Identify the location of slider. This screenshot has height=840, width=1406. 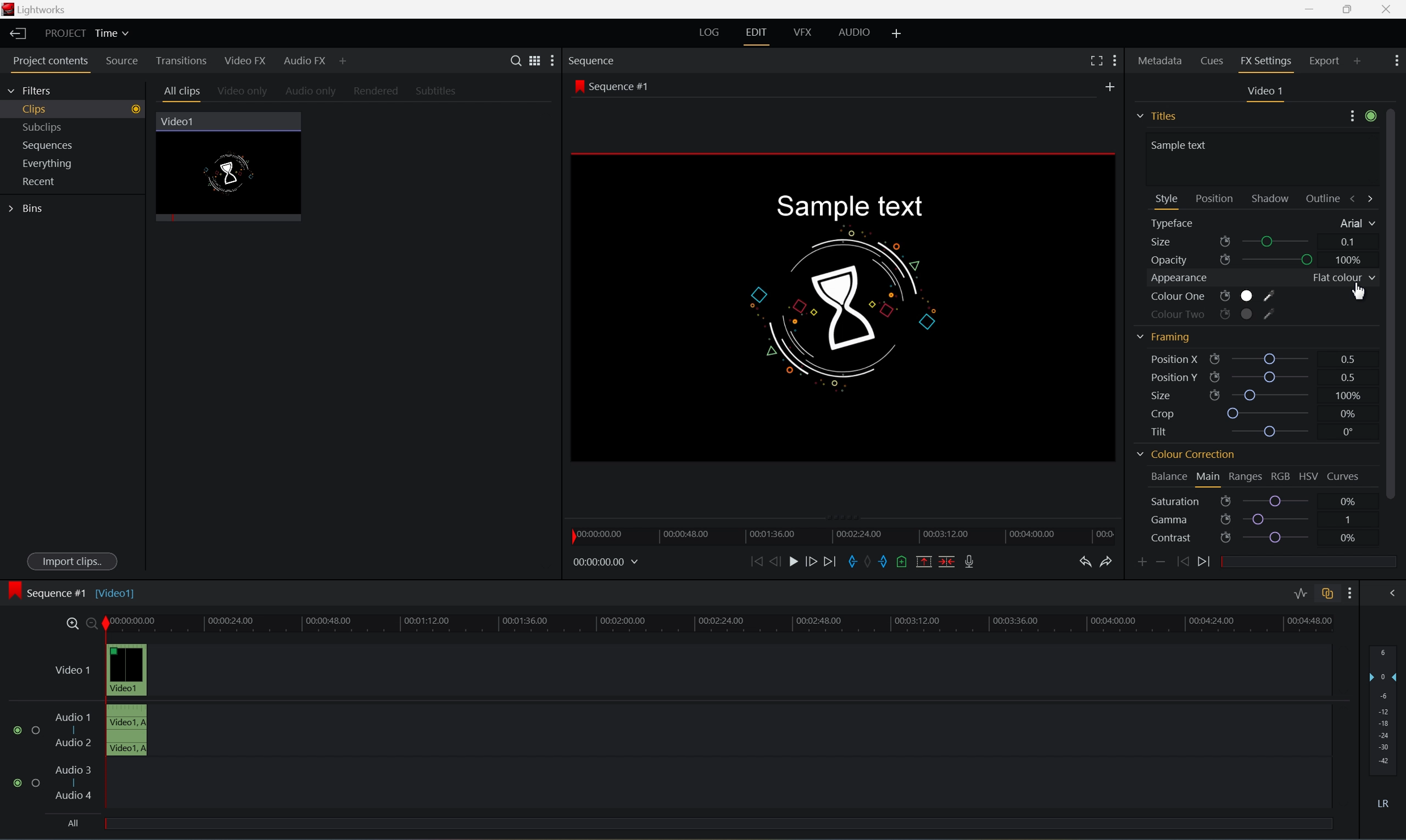
(1271, 414).